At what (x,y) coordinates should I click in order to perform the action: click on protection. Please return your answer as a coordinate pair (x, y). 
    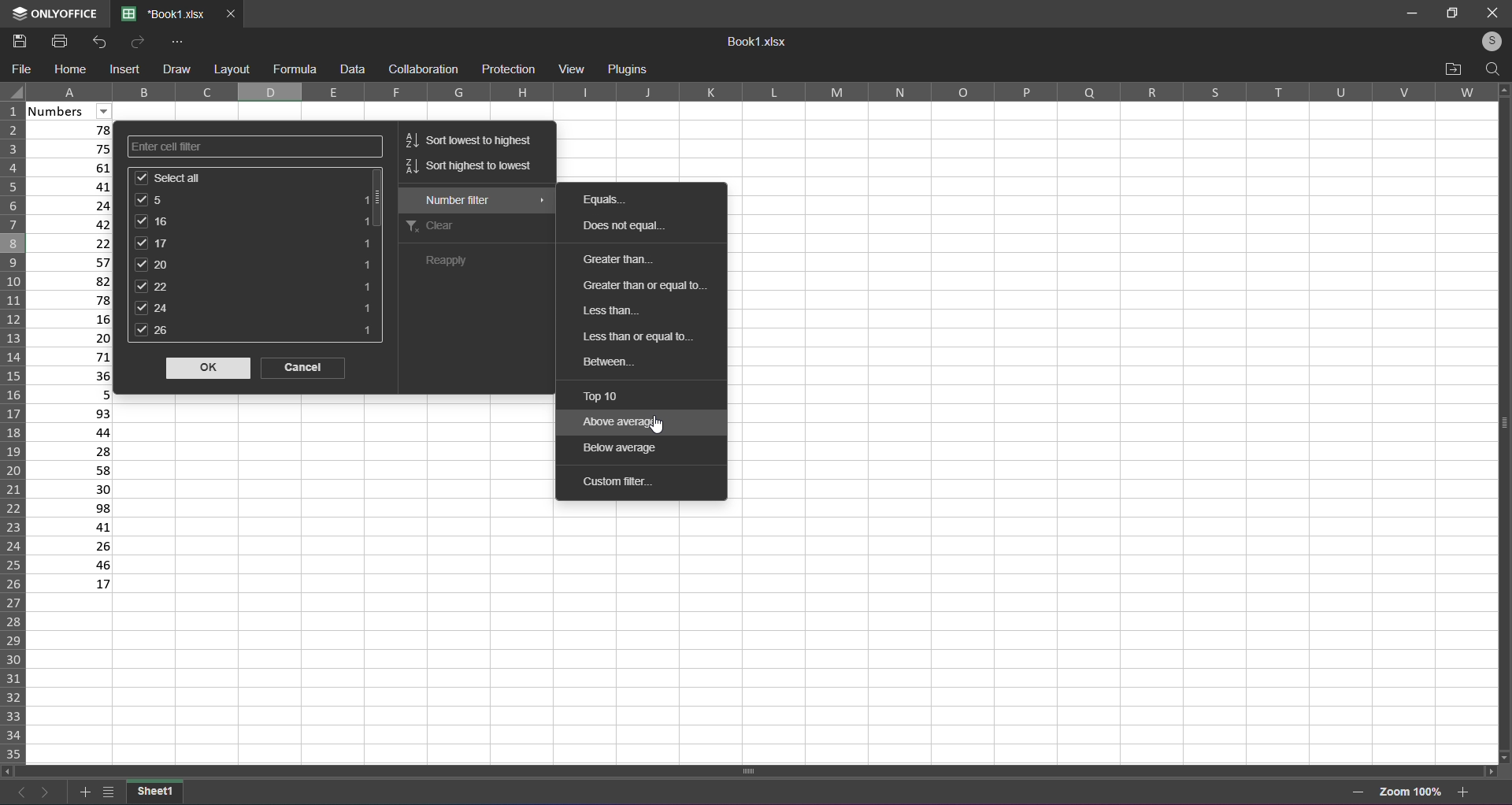
    Looking at the image, I should click on (509, 69).